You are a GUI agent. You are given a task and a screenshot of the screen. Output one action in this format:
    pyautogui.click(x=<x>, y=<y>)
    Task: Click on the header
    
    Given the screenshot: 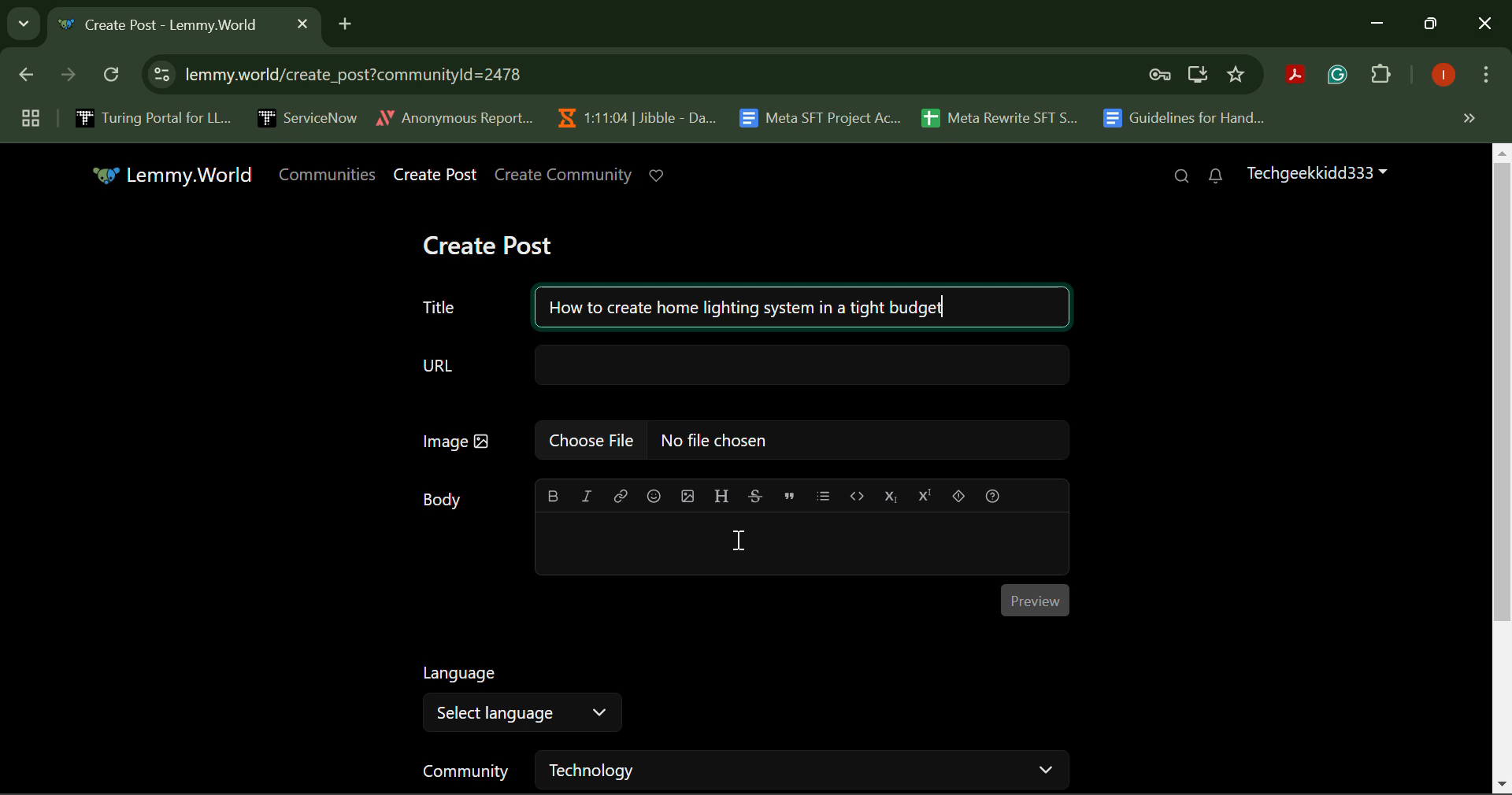 What is the action you would take?
    pyautogui.click(x=720, y=494)
    